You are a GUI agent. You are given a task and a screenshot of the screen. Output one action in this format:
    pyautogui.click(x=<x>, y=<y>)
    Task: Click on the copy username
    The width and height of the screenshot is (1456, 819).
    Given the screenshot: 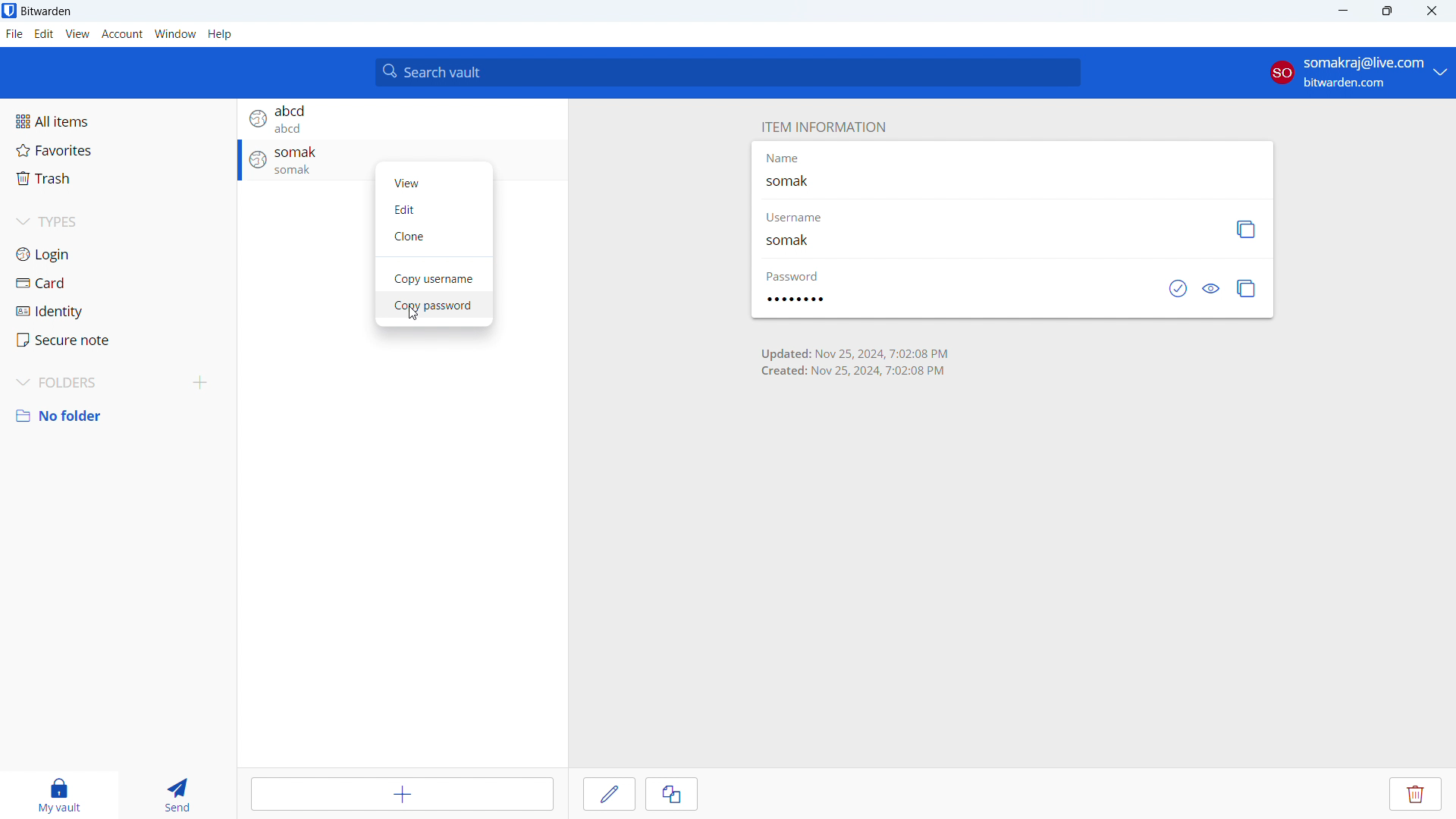 What is the action you would take?
    pyautogui.click(x=433, y=277)
    